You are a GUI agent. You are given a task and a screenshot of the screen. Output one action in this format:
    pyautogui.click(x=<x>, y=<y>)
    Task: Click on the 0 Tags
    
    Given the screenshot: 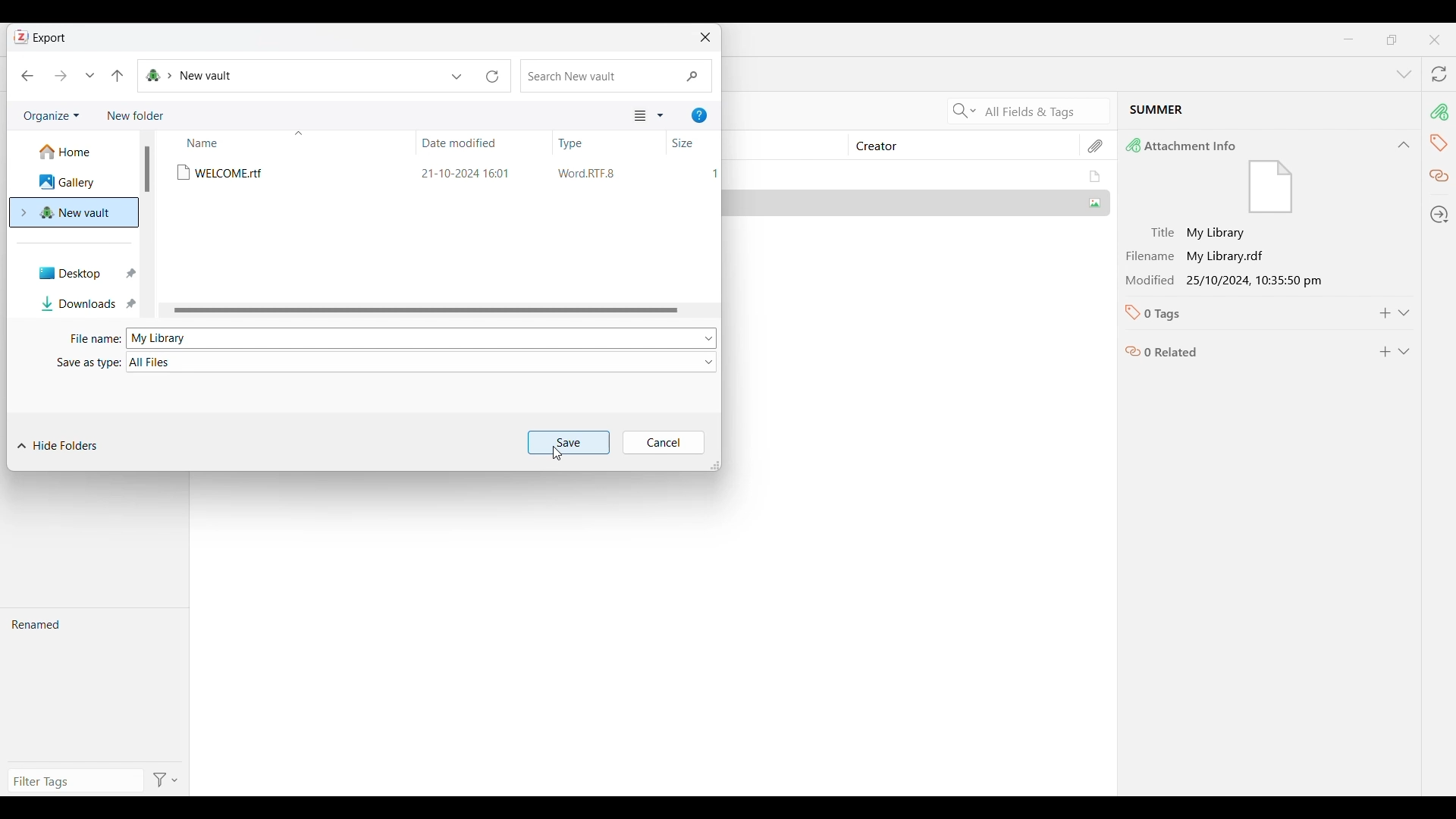 What is the action you would take?
    pyautogui.click(x=1238, y=313)
    